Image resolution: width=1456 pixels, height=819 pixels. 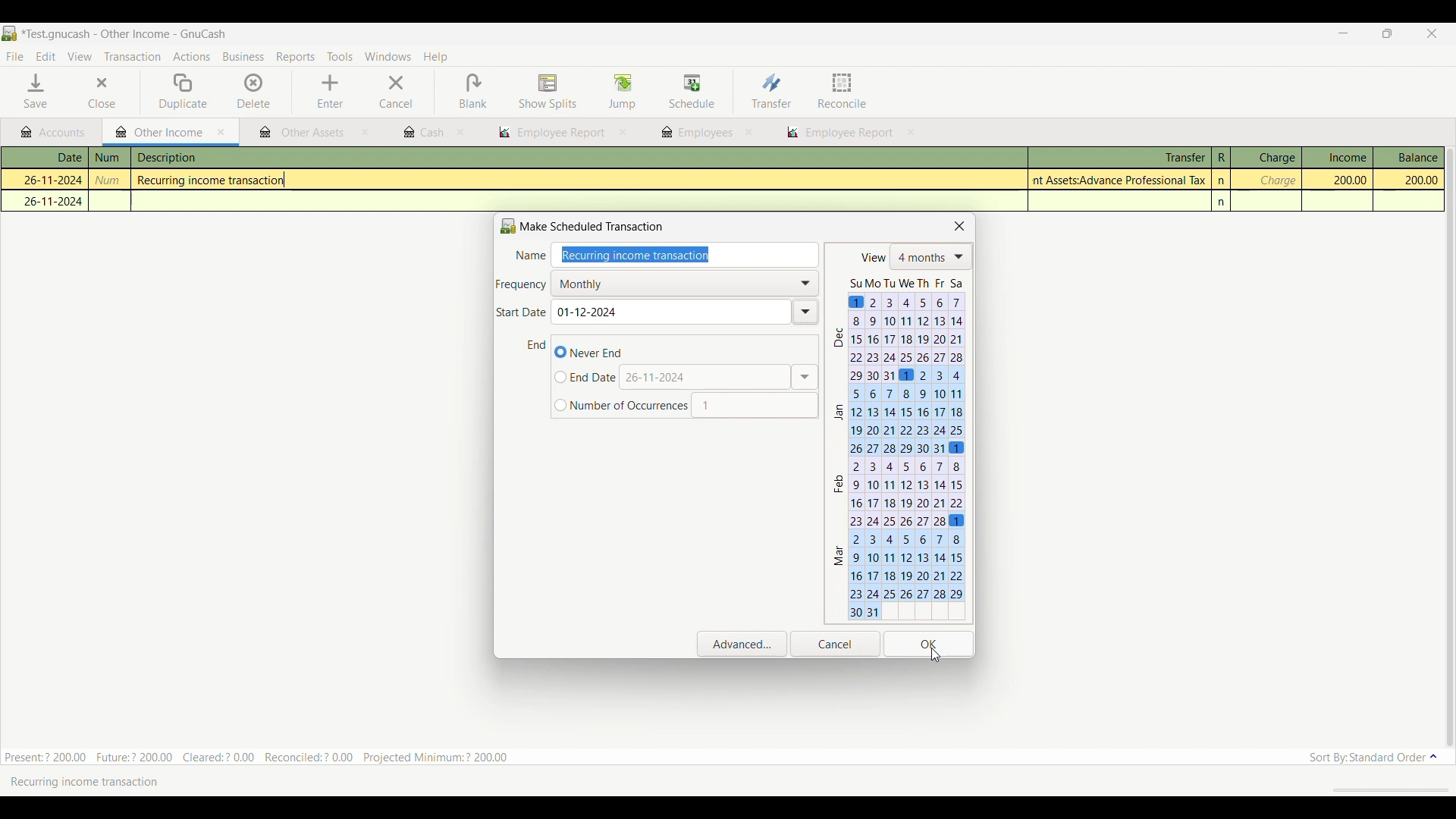 What do you see at coordinates (37, 91) in the screenshot?
I see `Save menu` at bounding box center [37, 91].